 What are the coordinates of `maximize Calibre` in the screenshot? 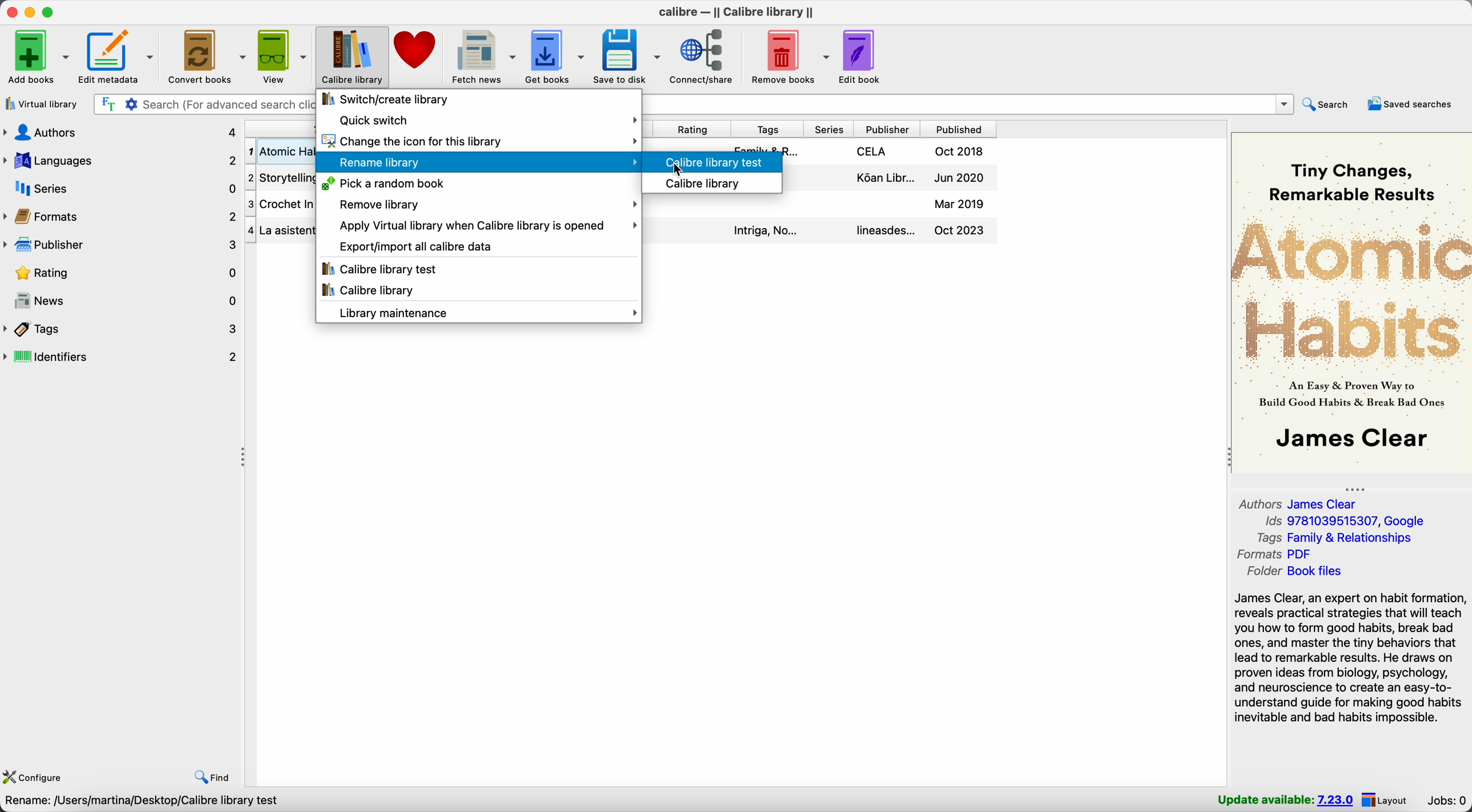 It's located at (50, 11).